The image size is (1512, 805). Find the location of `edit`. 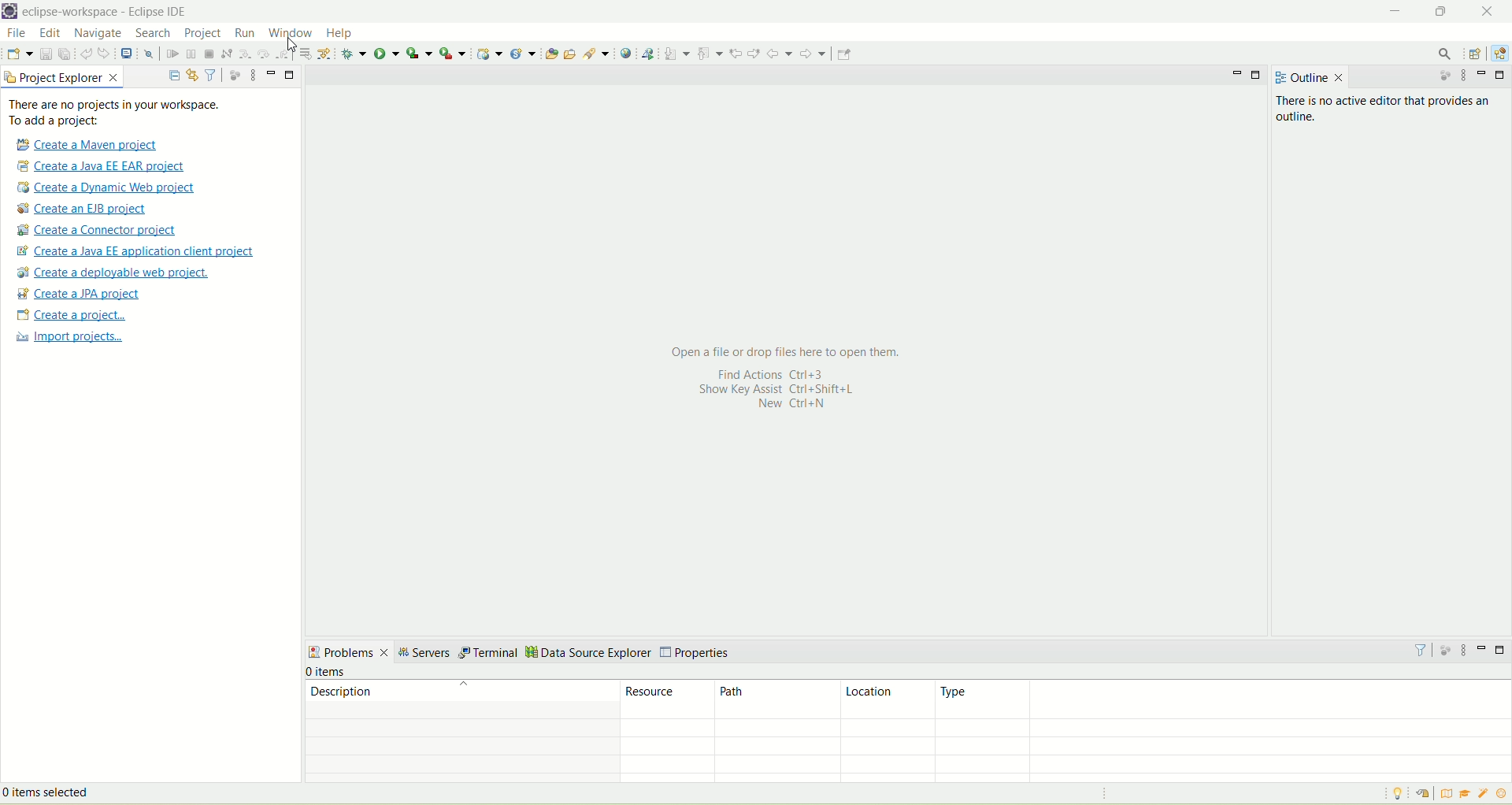

edit is located at coordinates (51, 35).